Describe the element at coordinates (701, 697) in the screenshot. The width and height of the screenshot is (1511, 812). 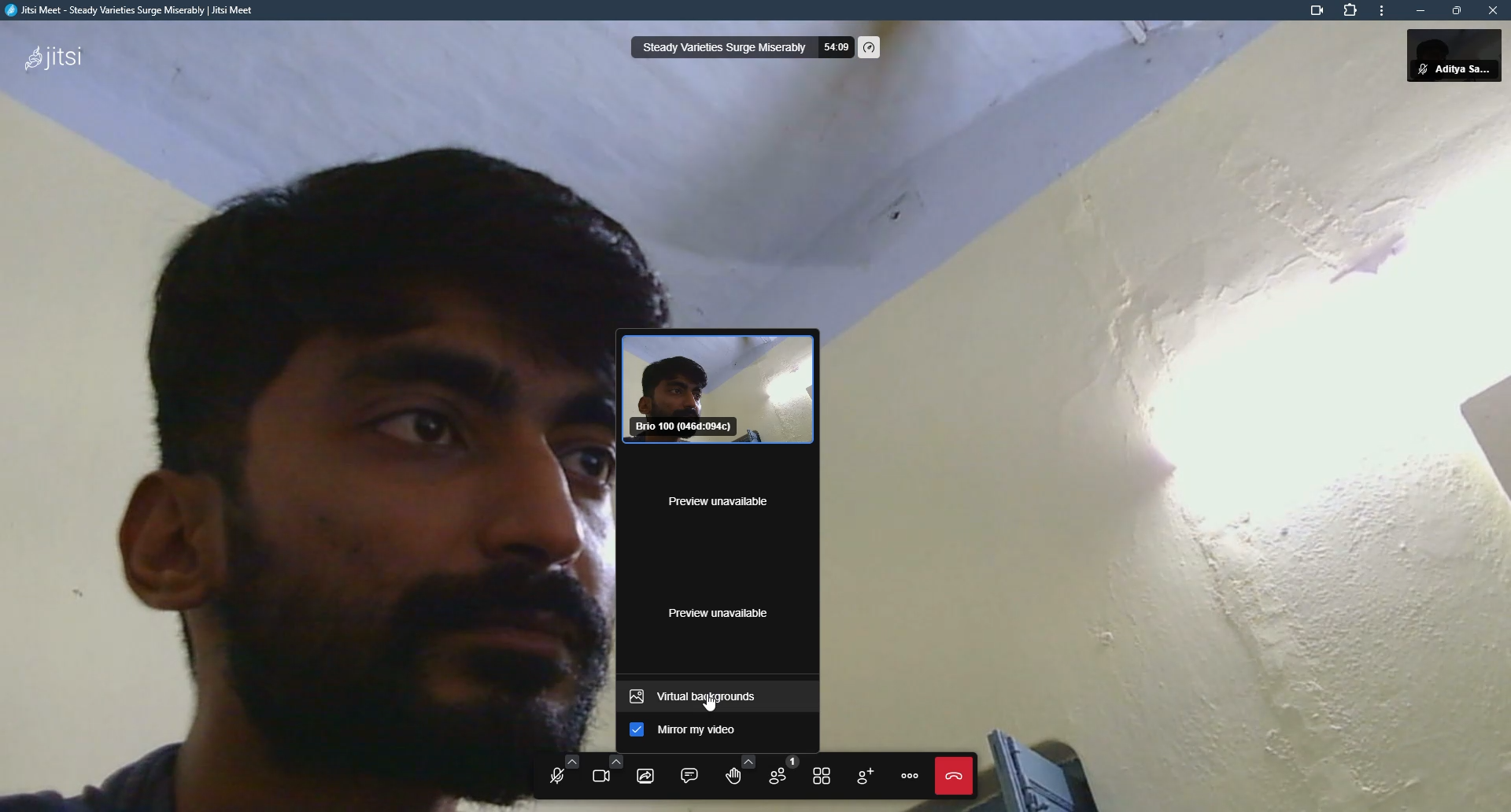
I see `virtual backgrounds` at that location.